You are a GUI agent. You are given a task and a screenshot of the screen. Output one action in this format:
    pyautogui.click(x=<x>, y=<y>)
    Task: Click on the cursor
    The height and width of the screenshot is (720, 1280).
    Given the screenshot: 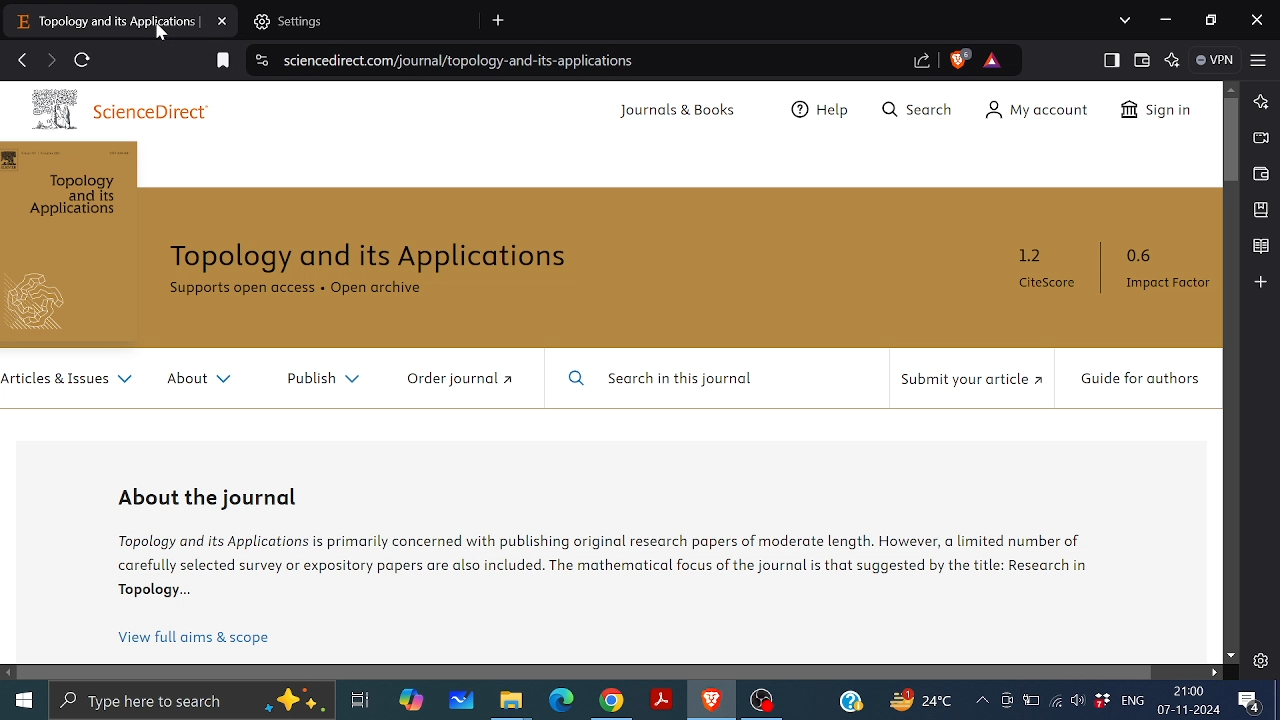 What is the action you would take?
    pyautogui.click(x=161, y=37)
    